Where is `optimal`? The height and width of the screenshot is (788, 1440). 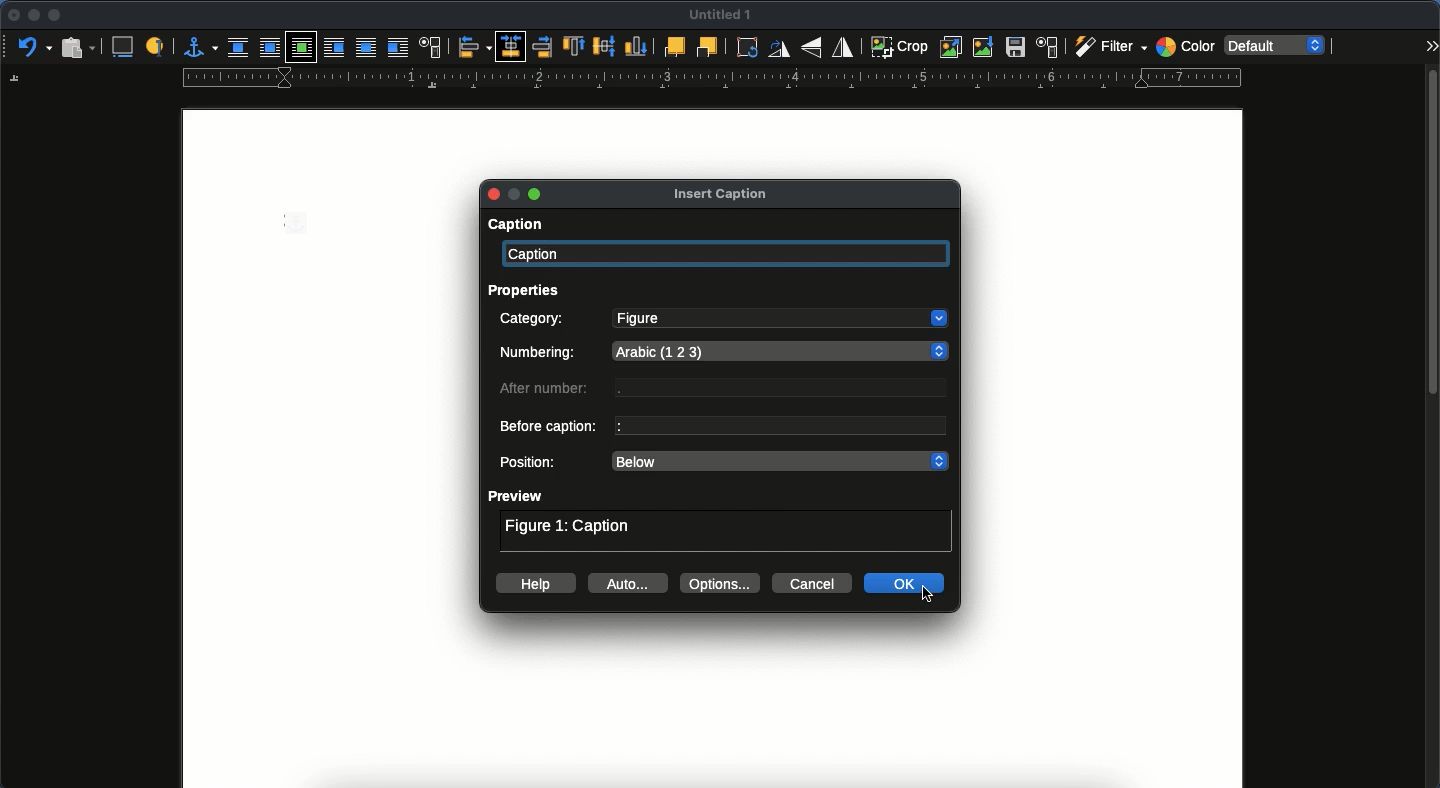
optimal is located at coordinates (302, 46).